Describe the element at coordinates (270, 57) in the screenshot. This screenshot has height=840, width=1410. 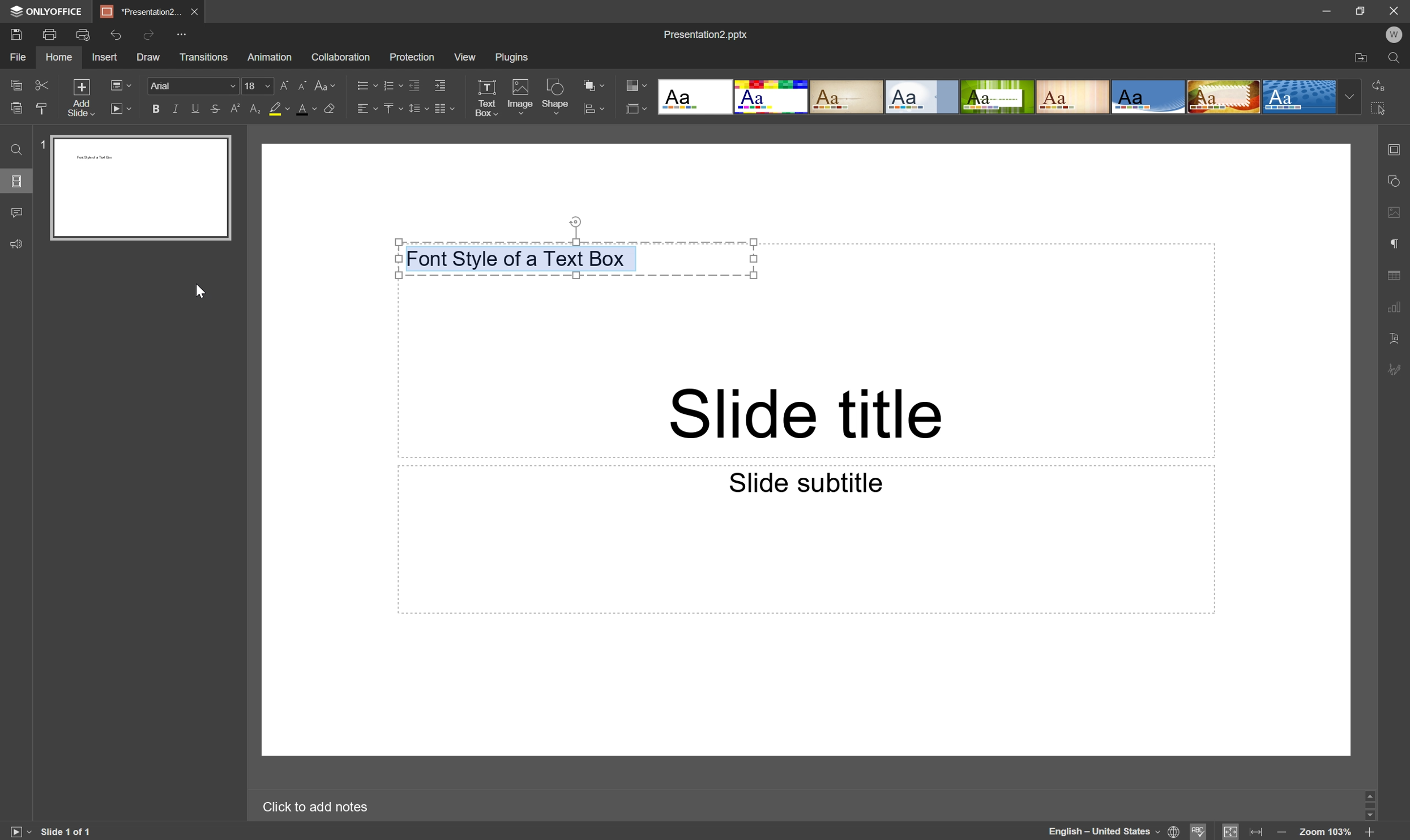
I see `Animation` at that location.